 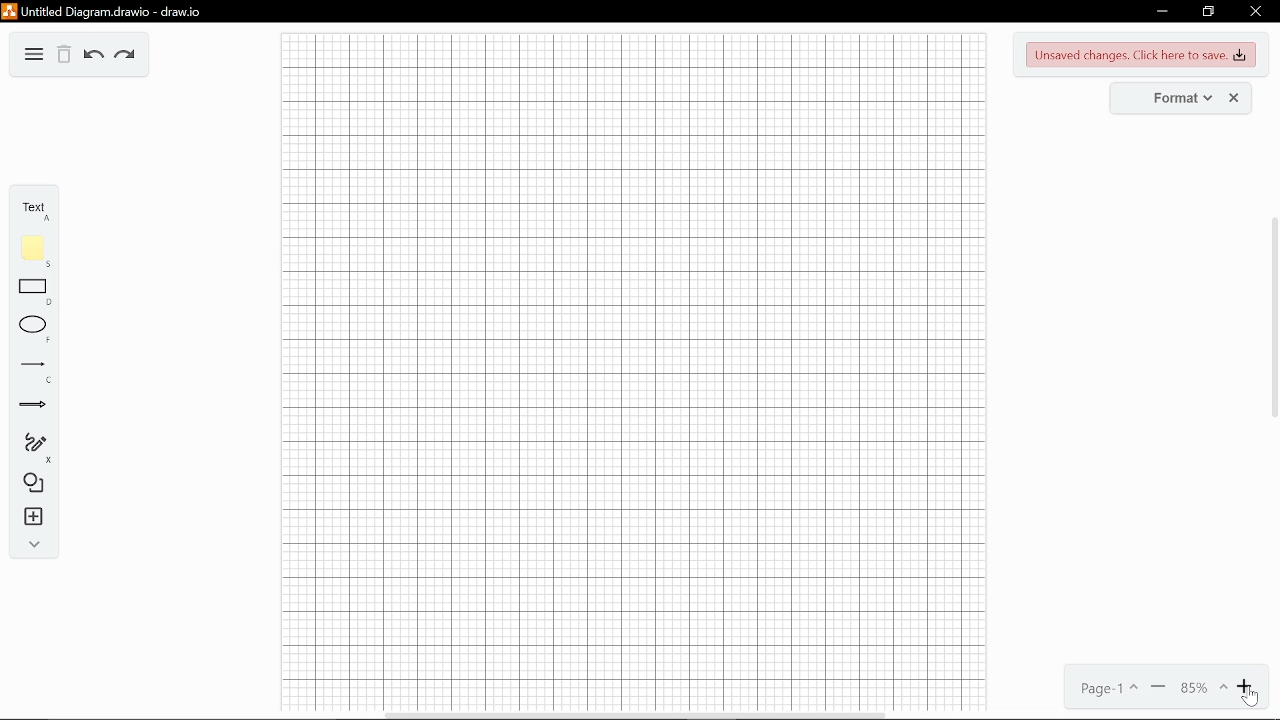 I want to click on shapes, so click(x=27, y=485).